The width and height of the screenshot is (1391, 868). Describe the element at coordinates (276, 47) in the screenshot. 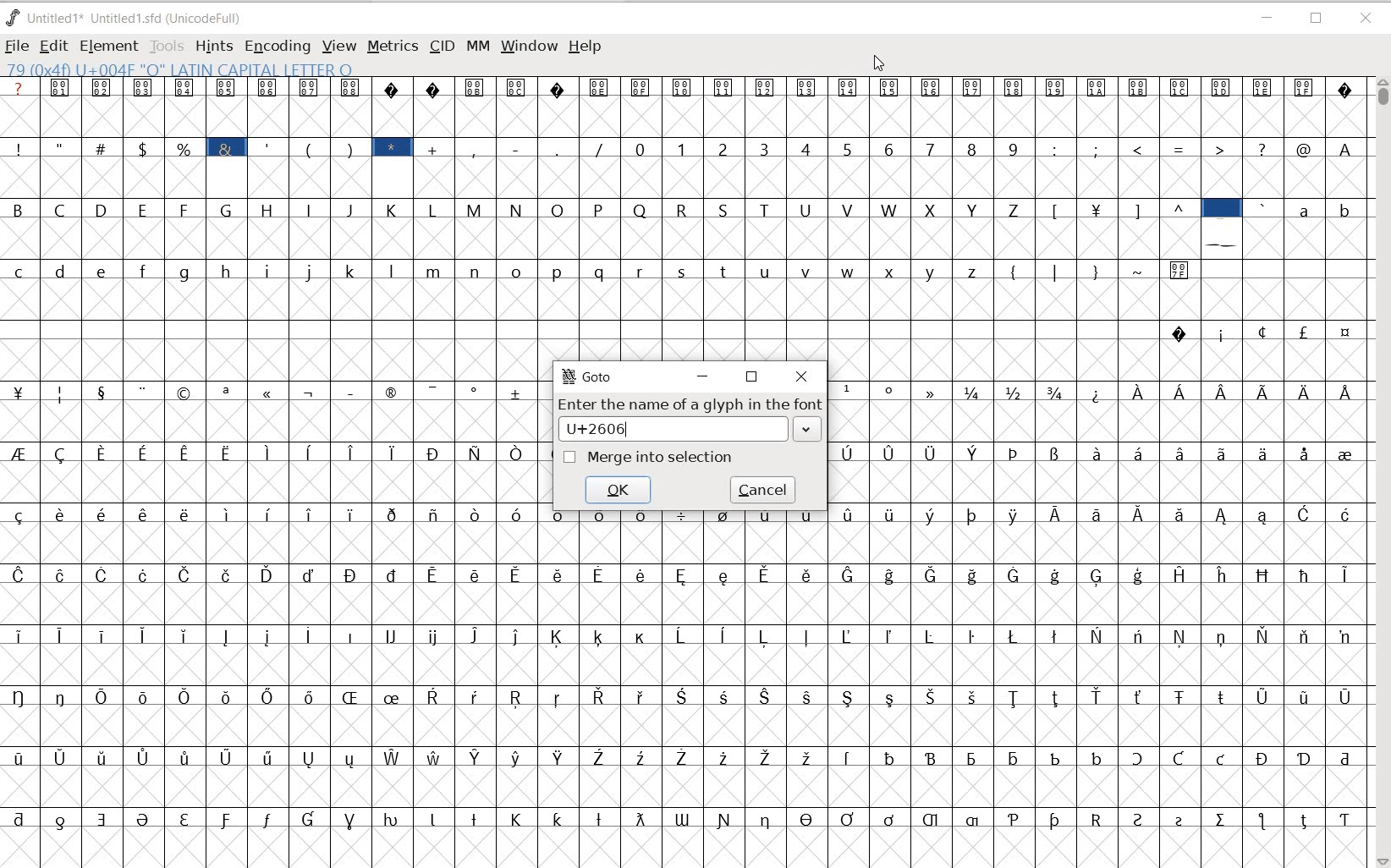

I see `ENCODING` at that location.